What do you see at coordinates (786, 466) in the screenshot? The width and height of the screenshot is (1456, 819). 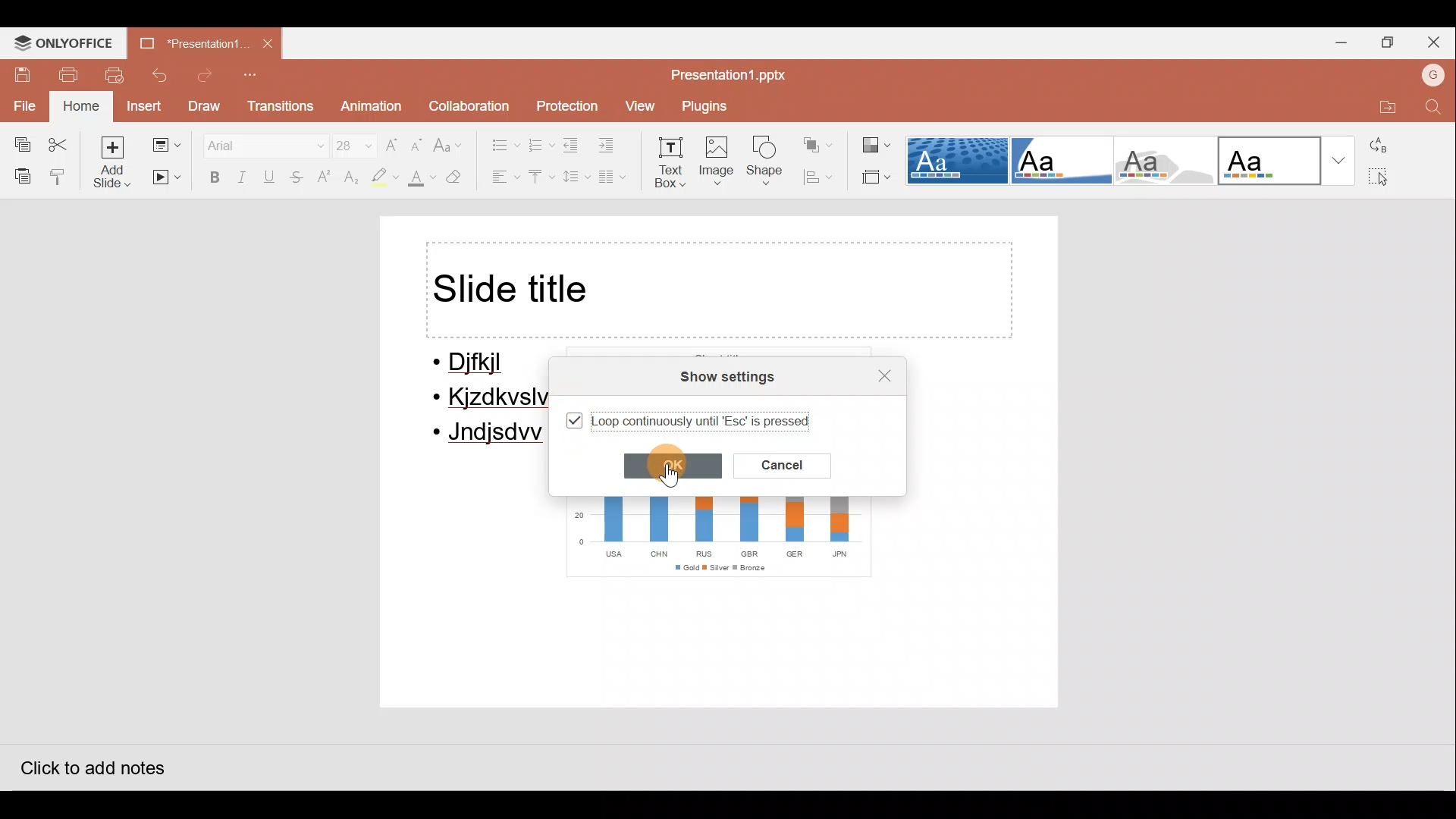 I see `Cancel` at bounding box center [786, 466].